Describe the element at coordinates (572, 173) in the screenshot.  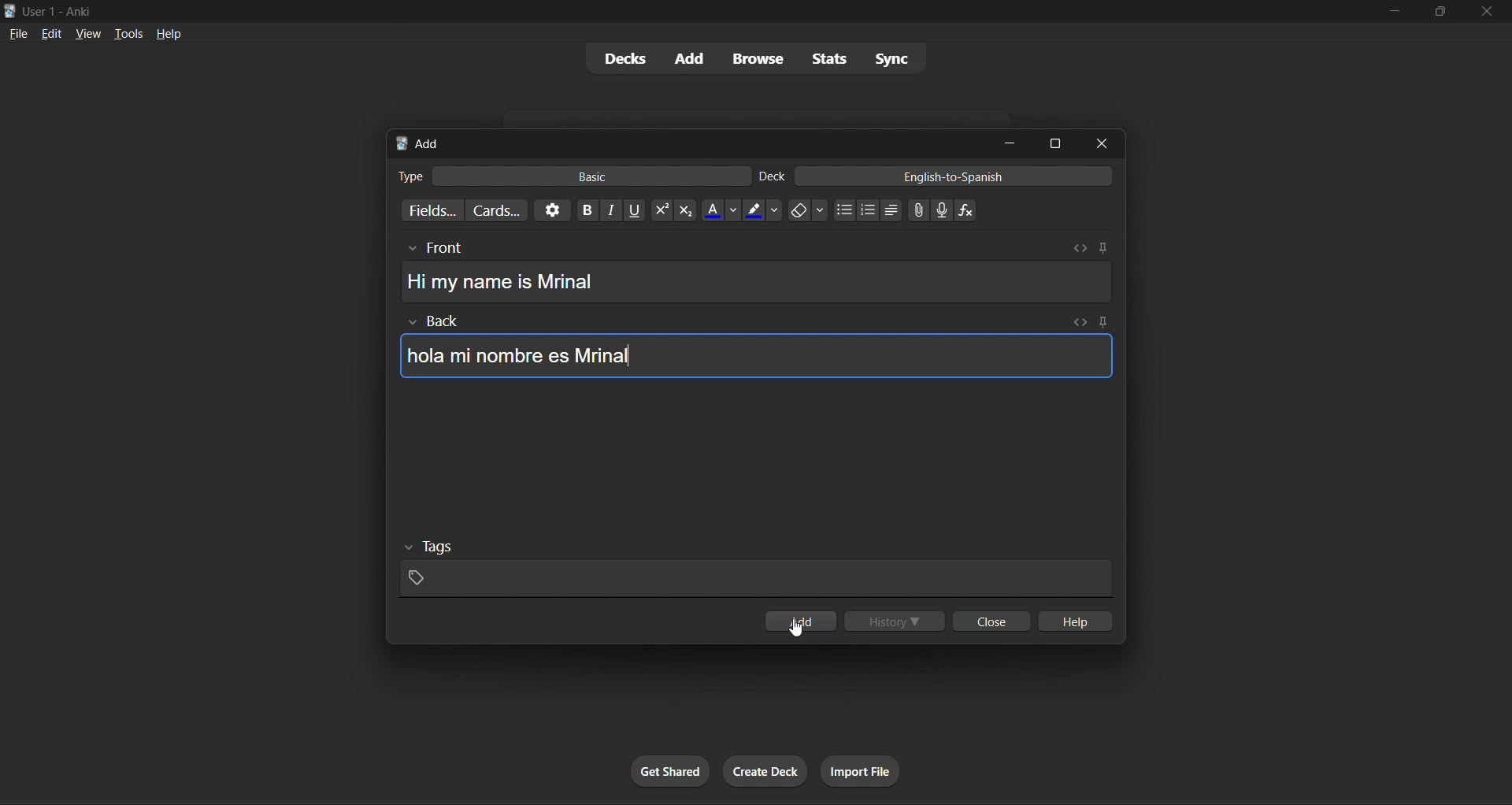
I see `basic card type` at that location.